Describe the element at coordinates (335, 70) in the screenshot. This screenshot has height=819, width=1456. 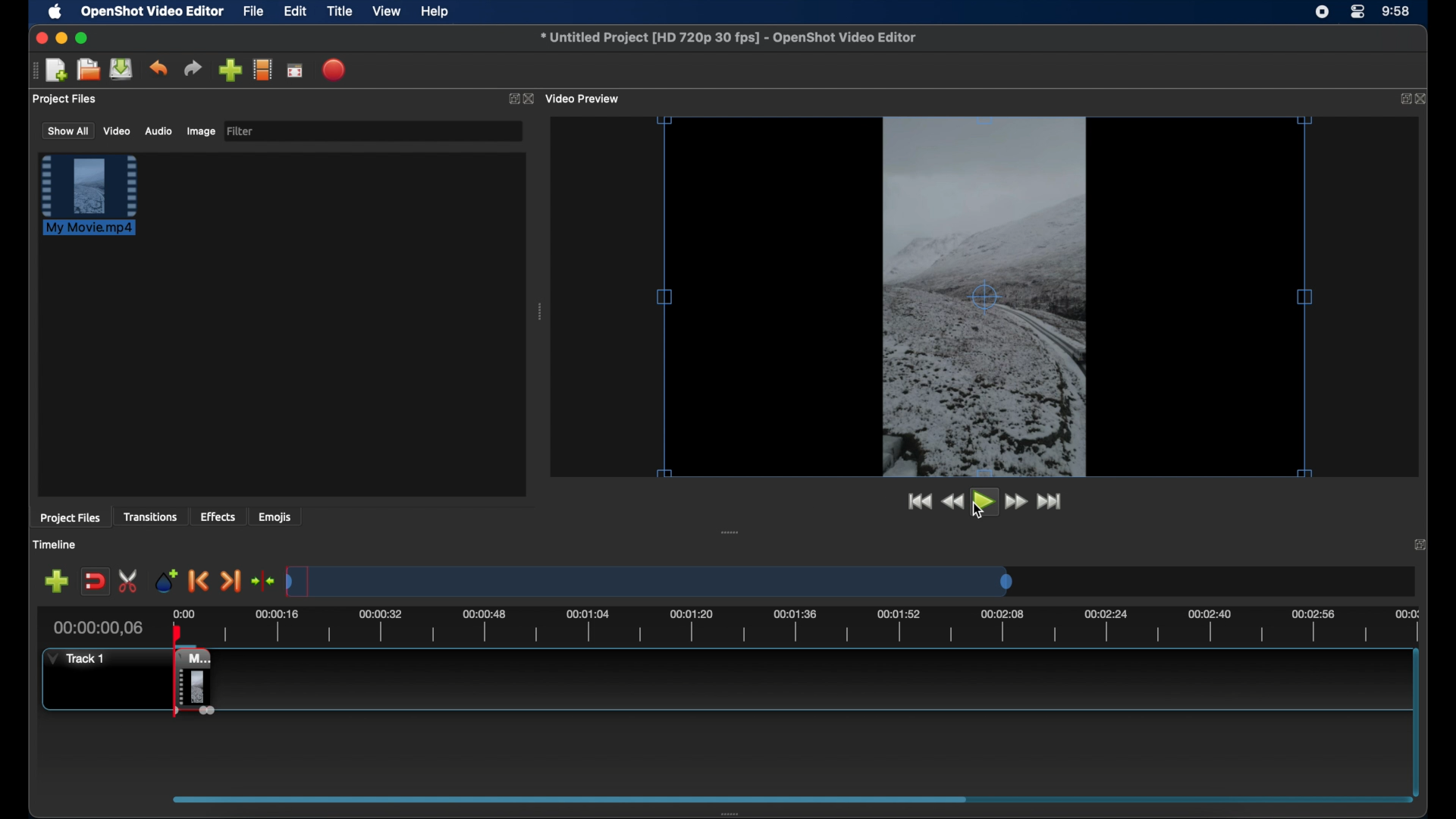
I see `export video` at that location.